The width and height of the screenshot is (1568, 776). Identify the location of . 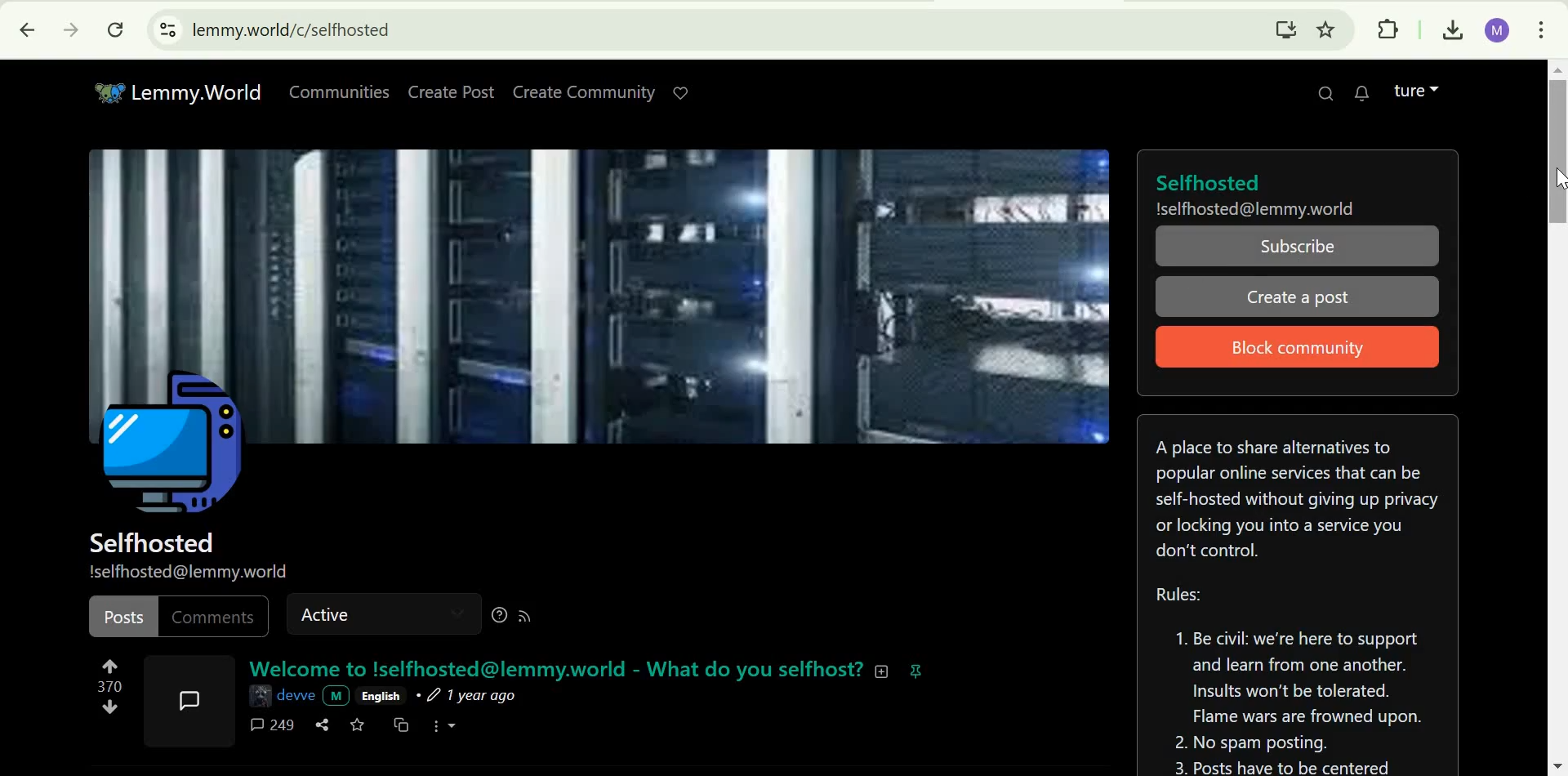
(436, 668).